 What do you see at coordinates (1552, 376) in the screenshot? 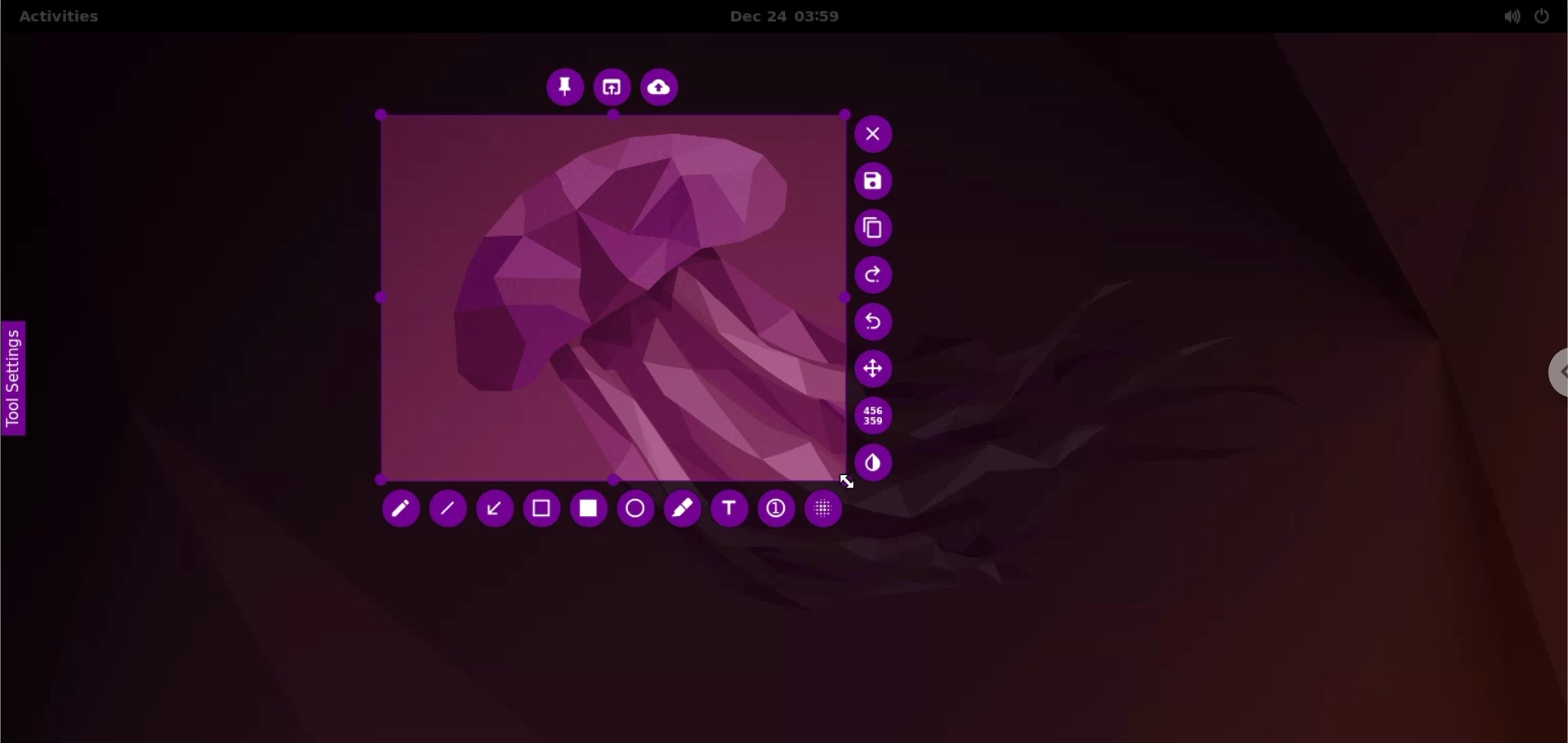
I see `chrome options ` at bounding box center [1552, 376].